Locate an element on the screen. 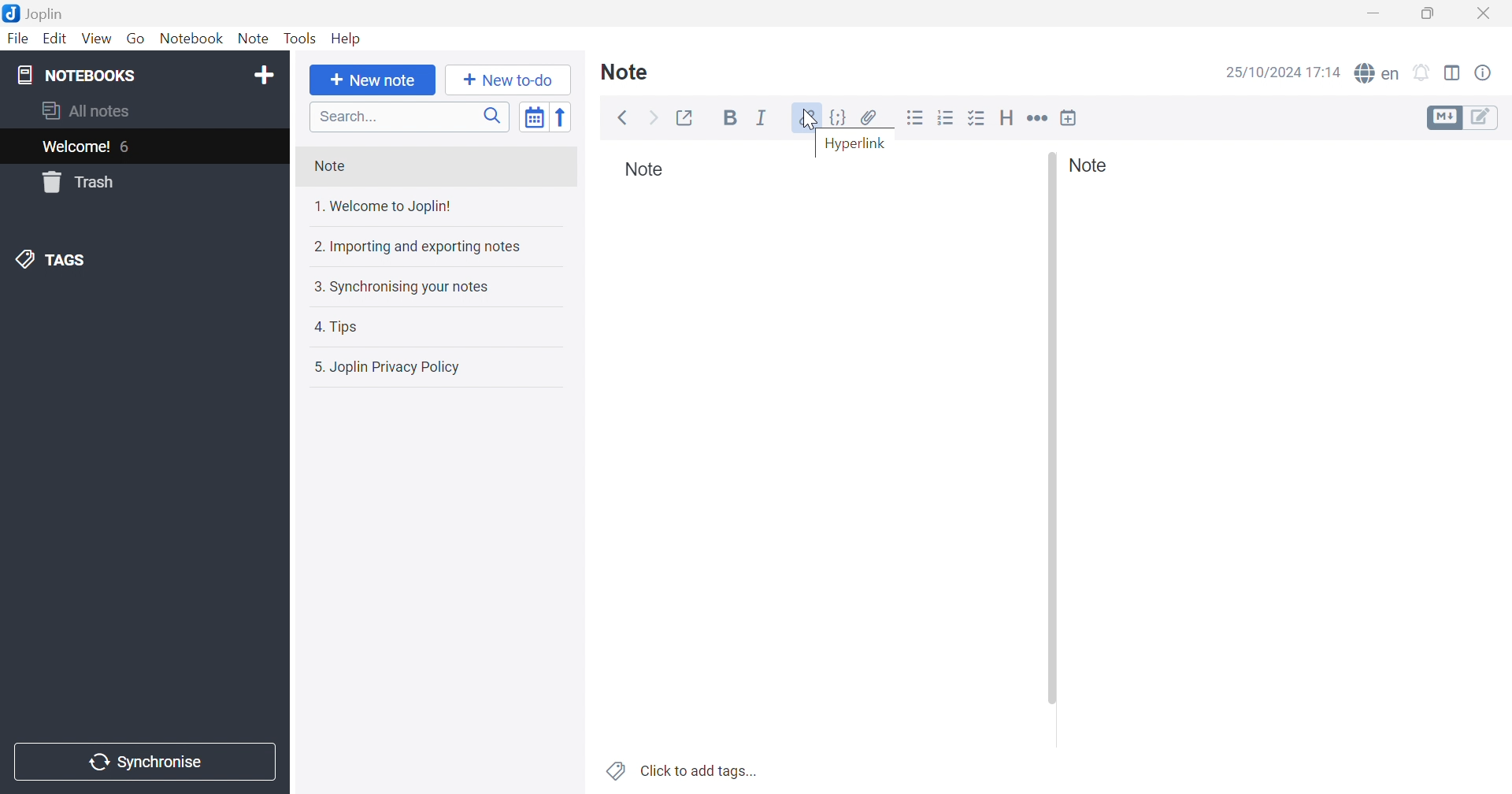 This screenshot has width=1512, height=794. Code is located at coordinates (839, 117).